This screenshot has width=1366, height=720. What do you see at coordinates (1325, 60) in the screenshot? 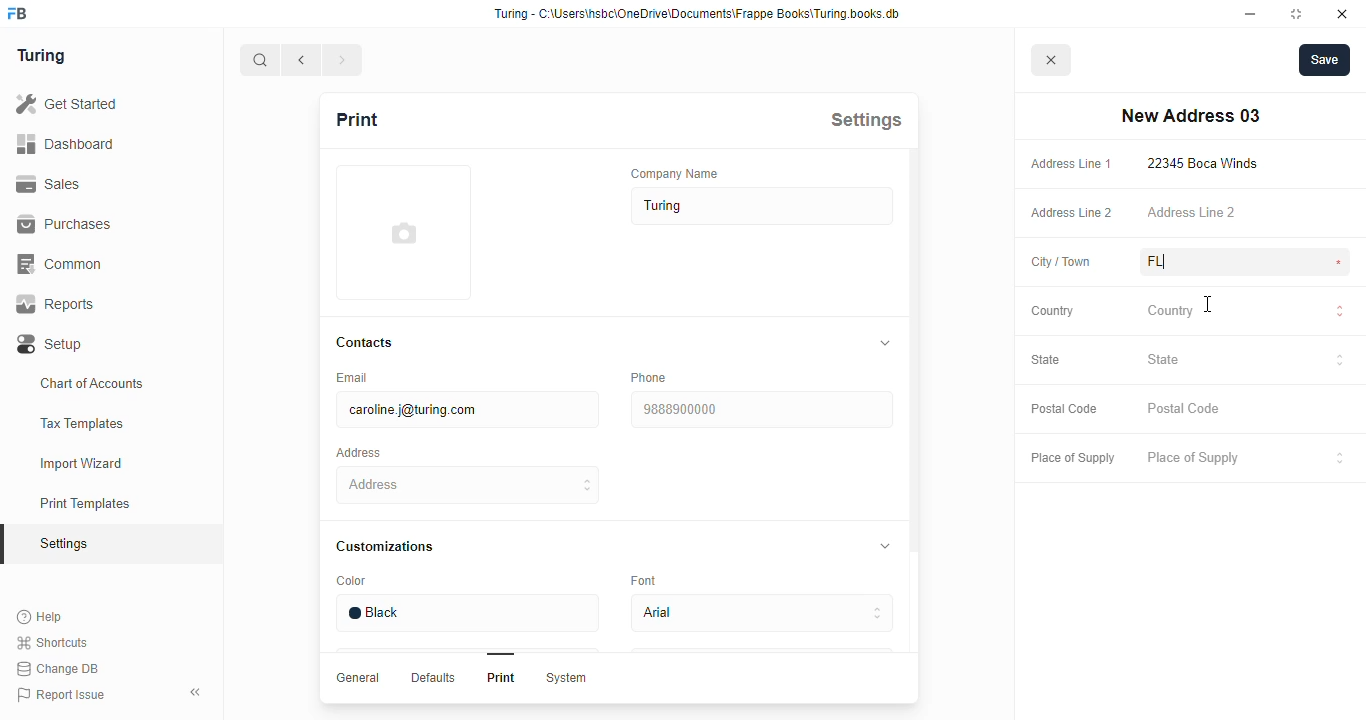
I see `save` at bounding box center [1325, 60].